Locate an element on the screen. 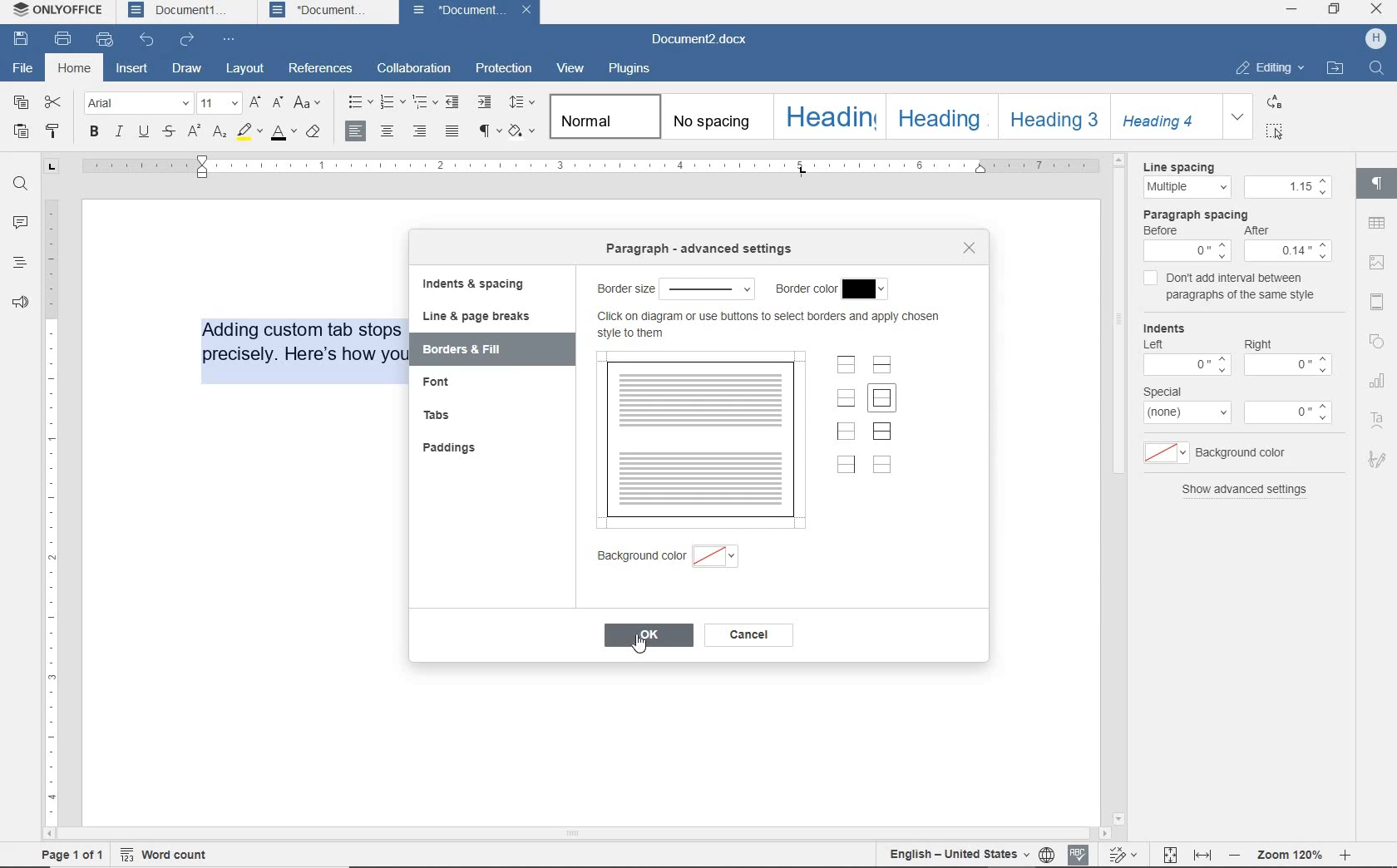  zoom out is located at coordinates (1234, 852).